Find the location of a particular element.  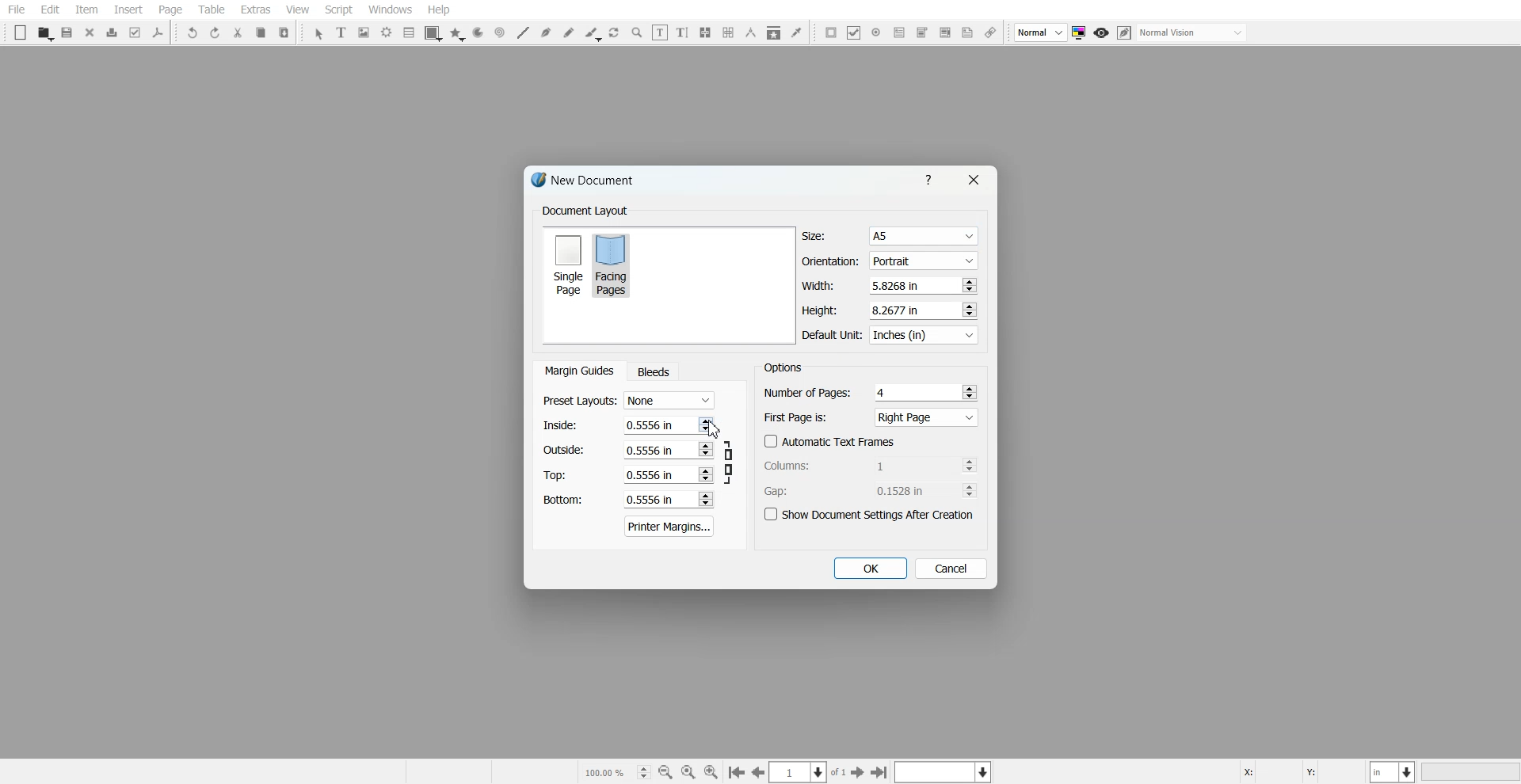

Margin Guides is located at coordinates (578, 371).